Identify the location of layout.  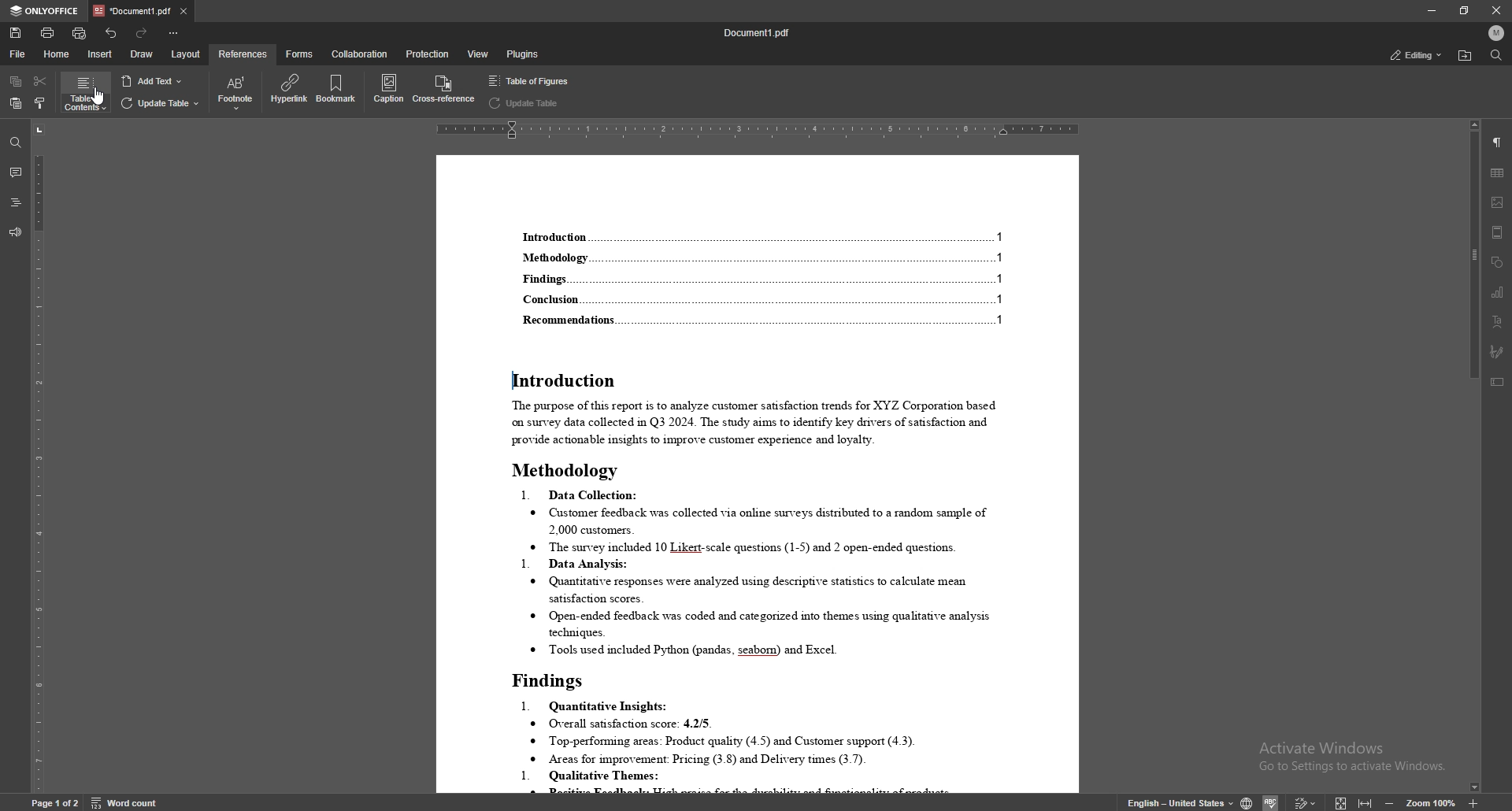
(187, 54).